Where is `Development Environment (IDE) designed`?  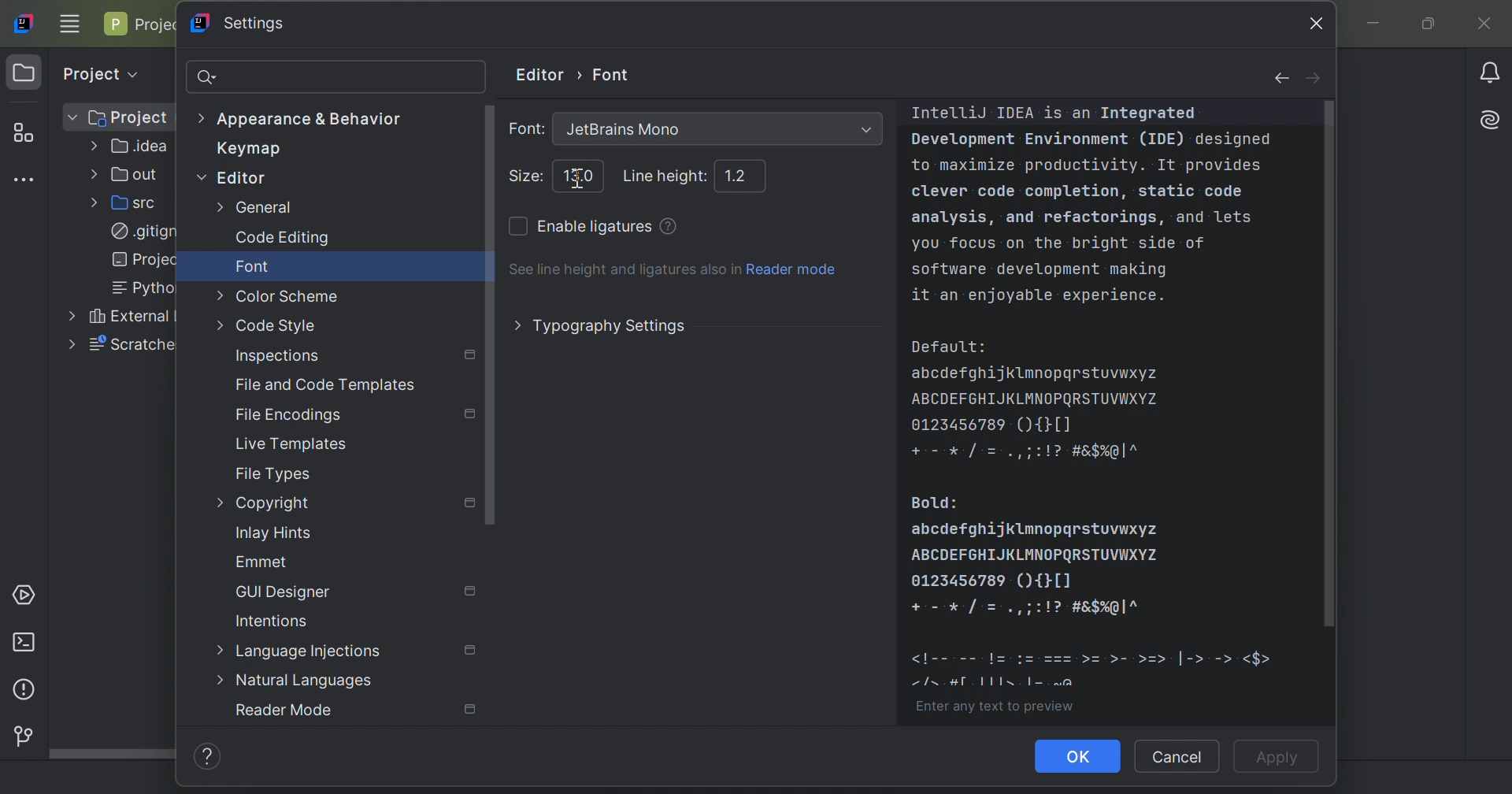 Development Environment (IDE) designed is located at coordinates (1091, 139).